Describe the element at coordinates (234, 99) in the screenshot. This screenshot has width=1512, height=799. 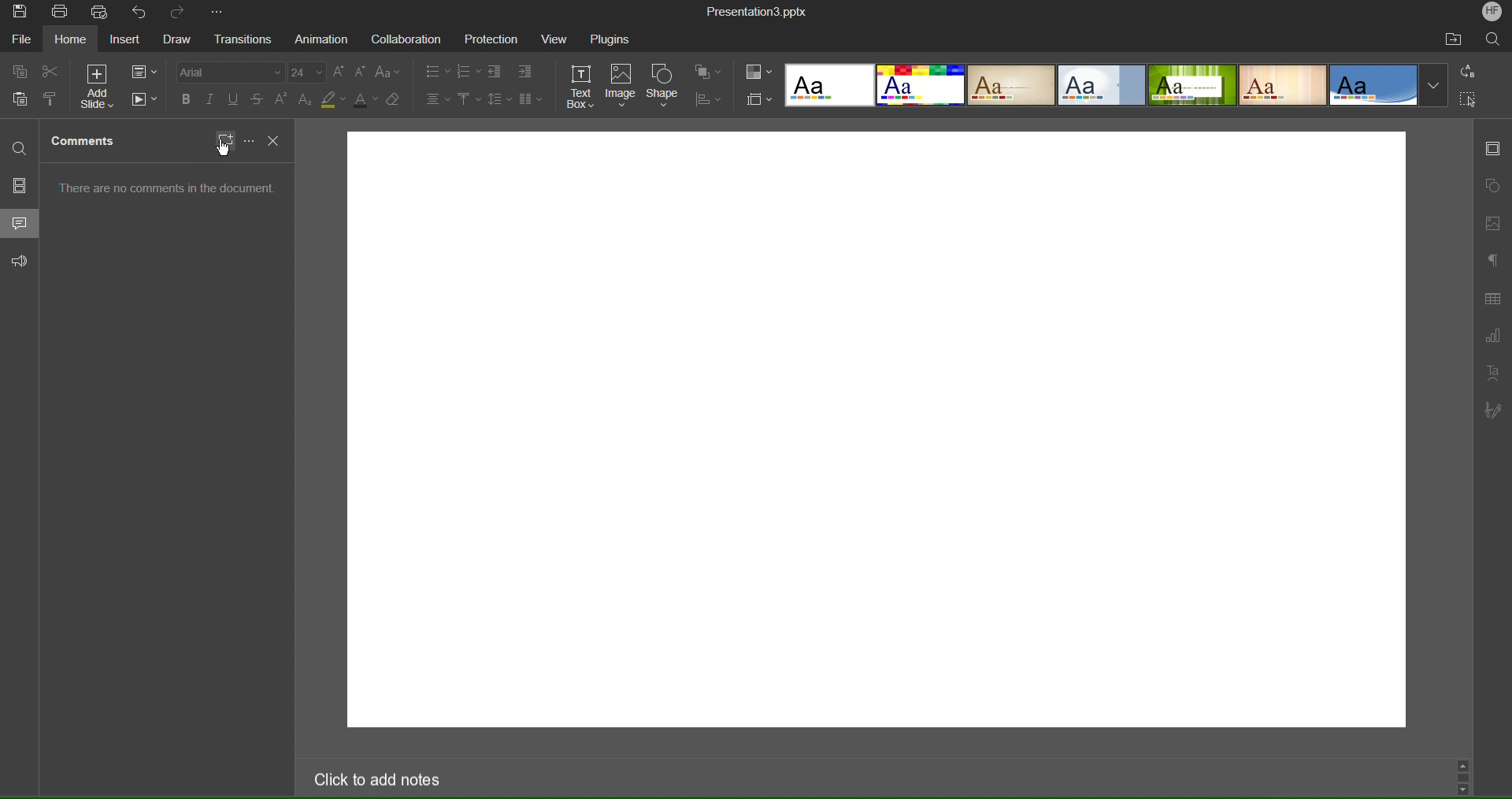
I see `Underline` at that location.